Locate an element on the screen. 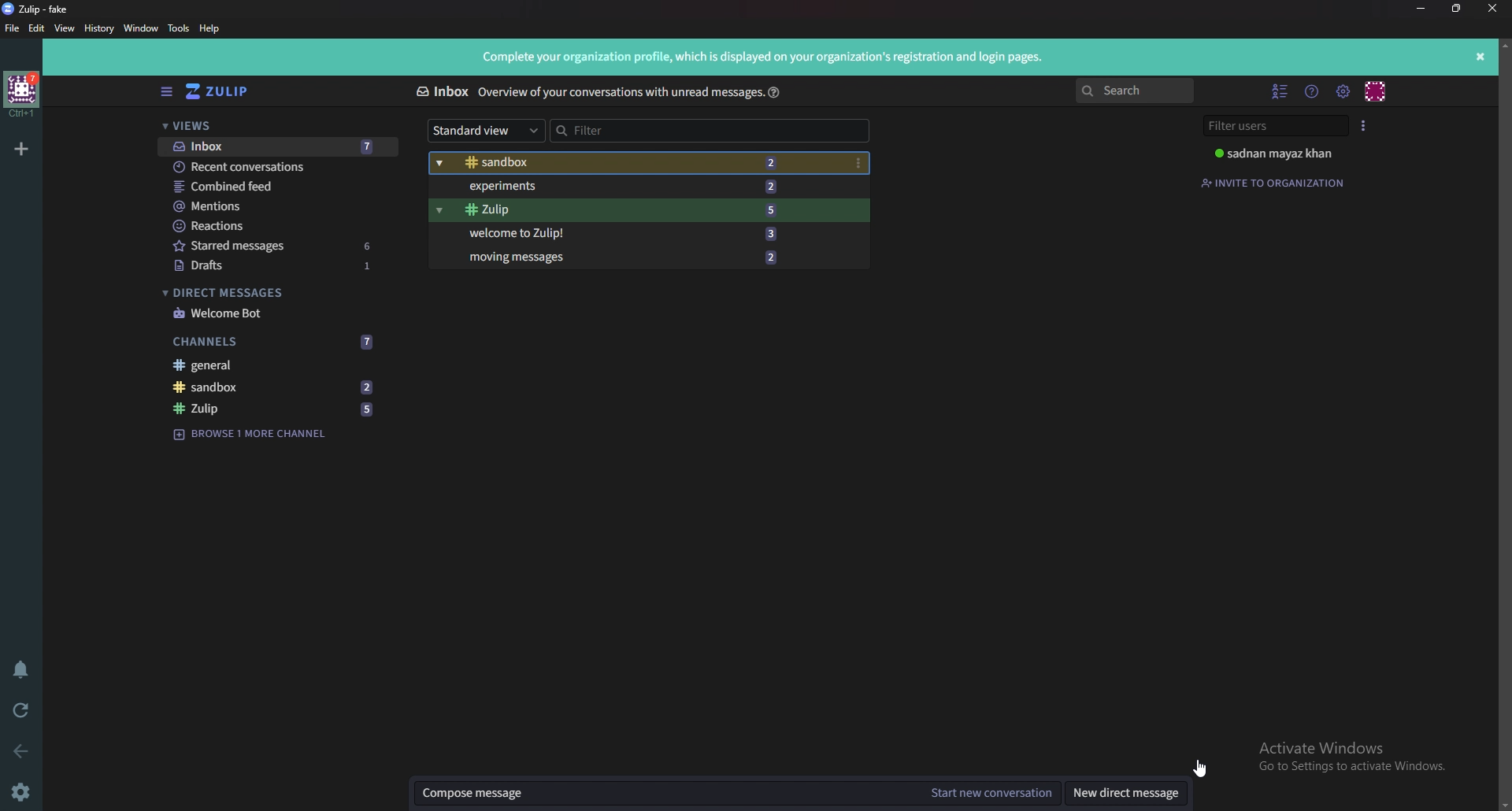  Welcome to Zulip is located at coordinates (636, 233).